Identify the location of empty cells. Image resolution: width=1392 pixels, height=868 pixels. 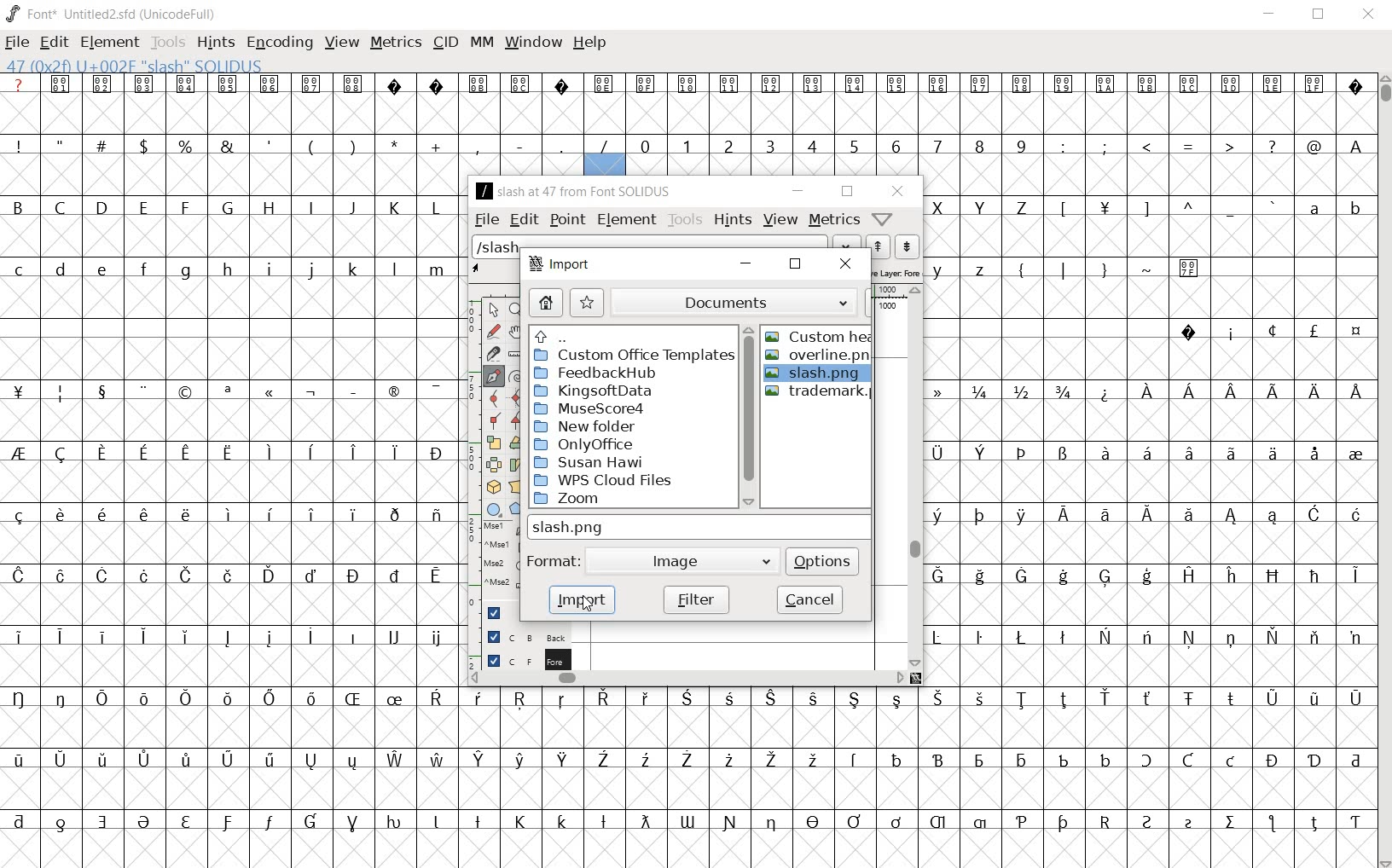
(688, 115).